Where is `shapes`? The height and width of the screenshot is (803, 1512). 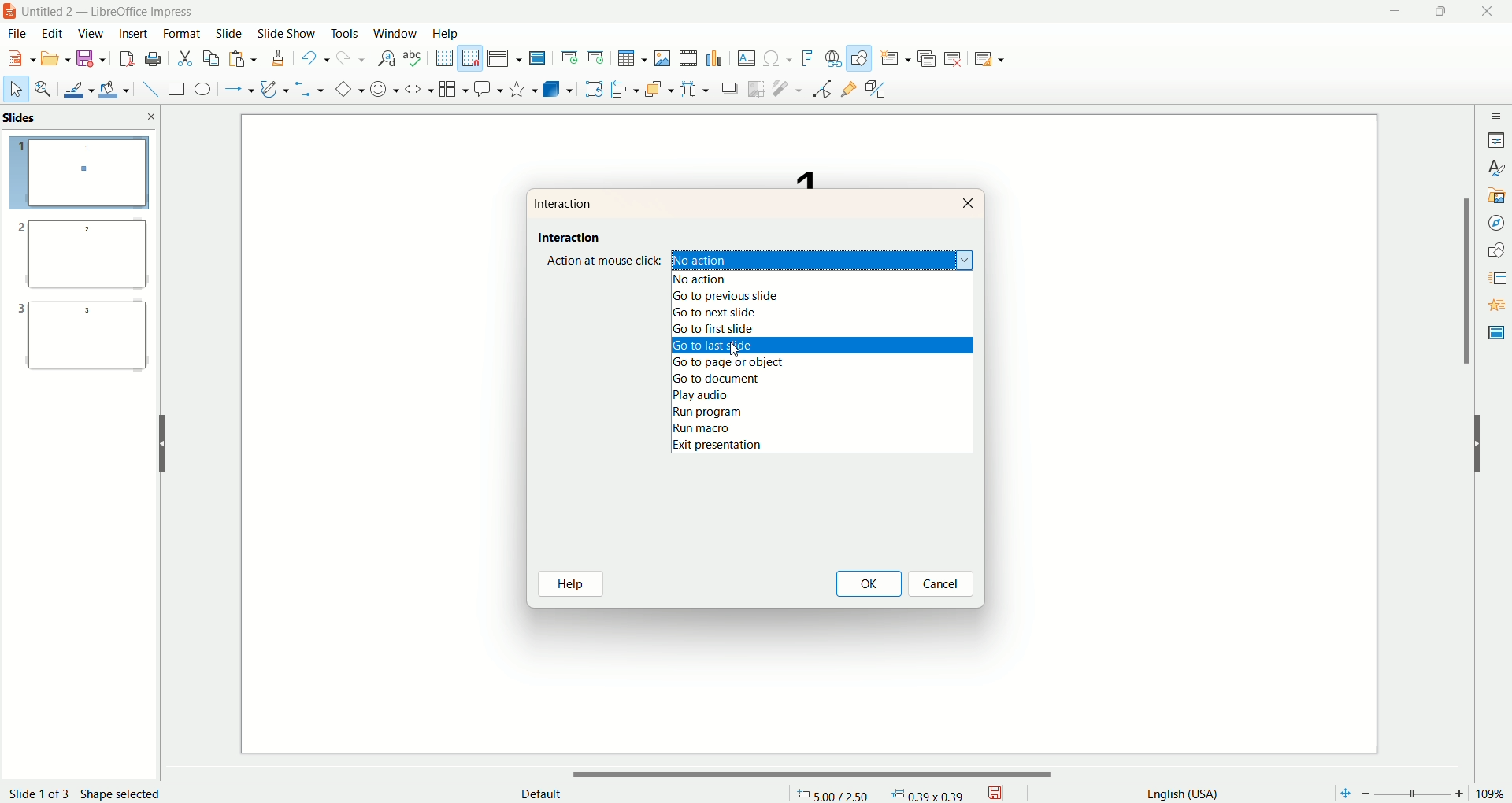 shapes is located at coordinates (1496, 248).